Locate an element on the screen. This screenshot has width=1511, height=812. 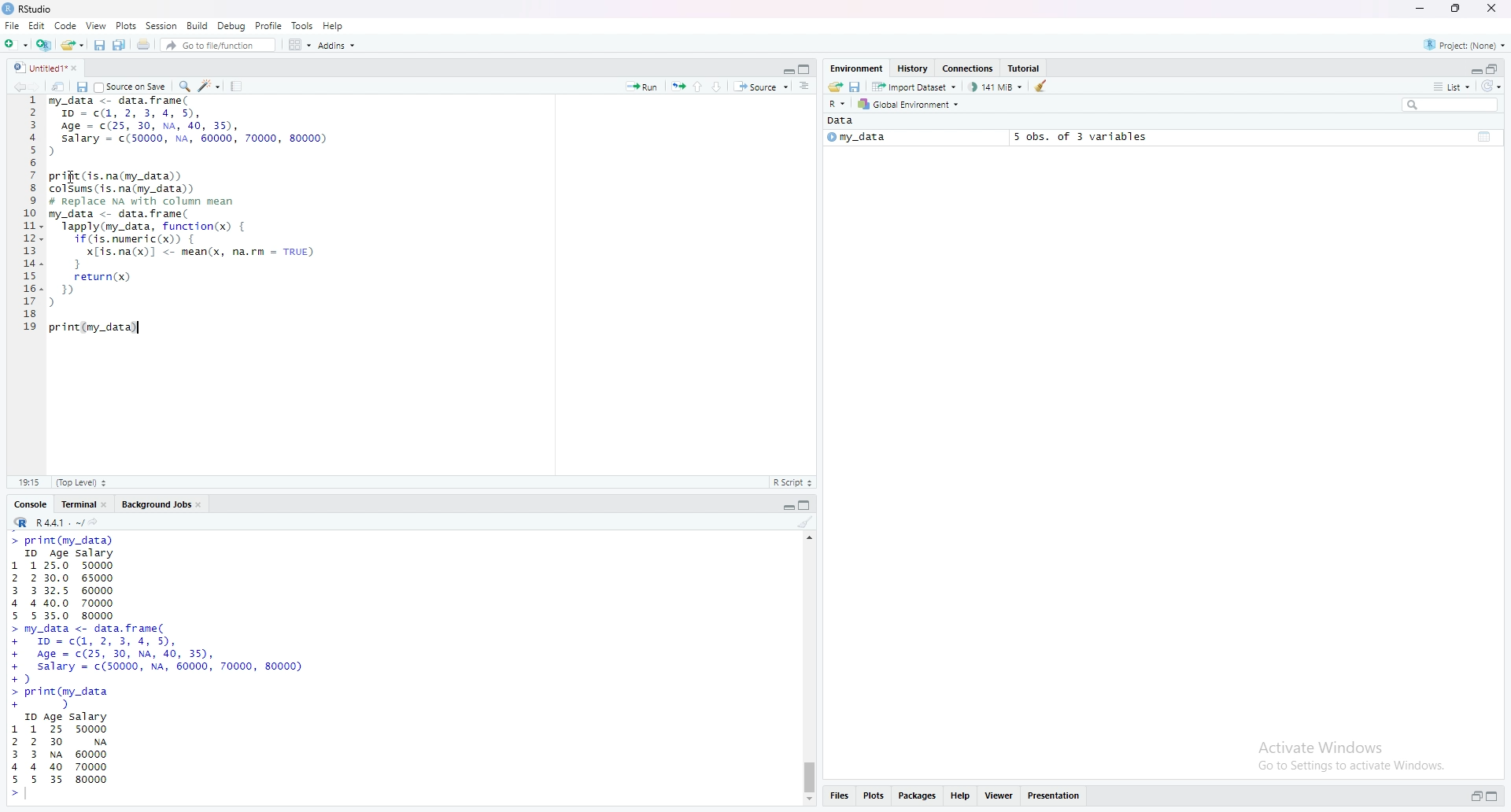
Environment is located at coordinates (858, 68).